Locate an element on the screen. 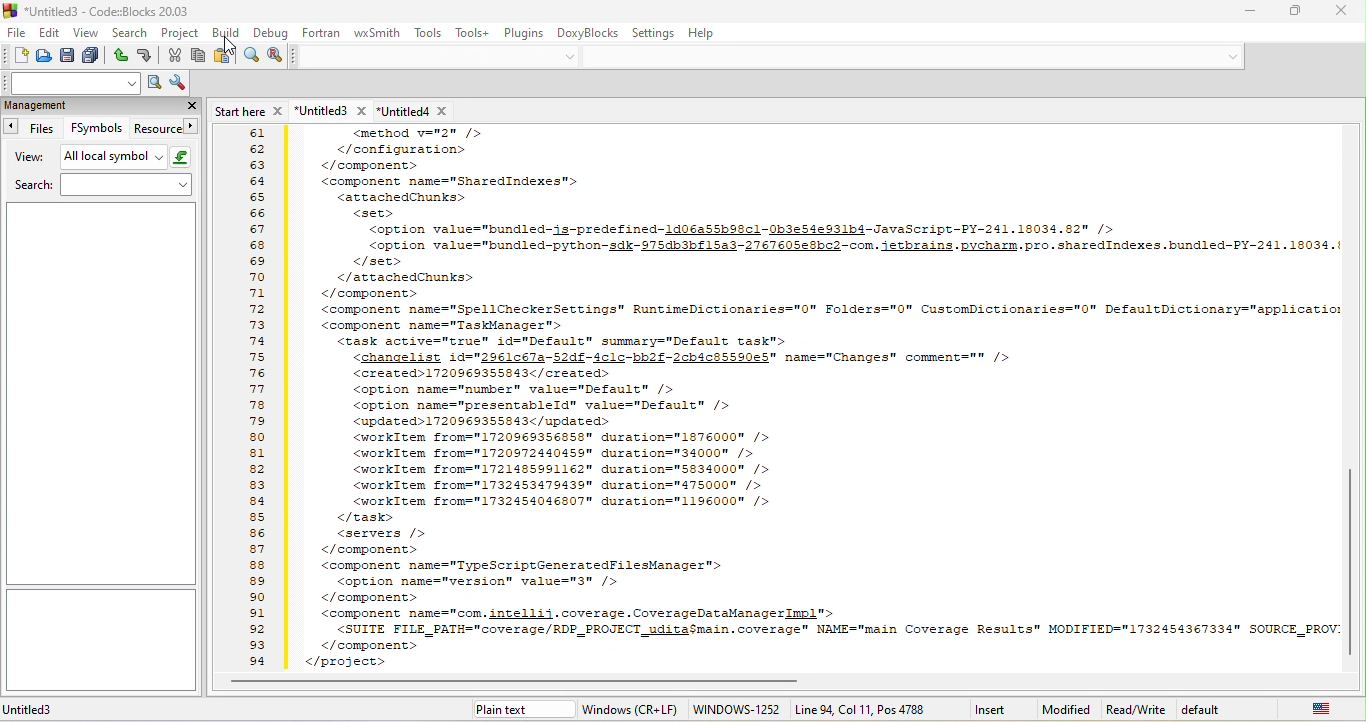 This screenshot has width=1366, height=722. resource is located at coordinates (167, 131).